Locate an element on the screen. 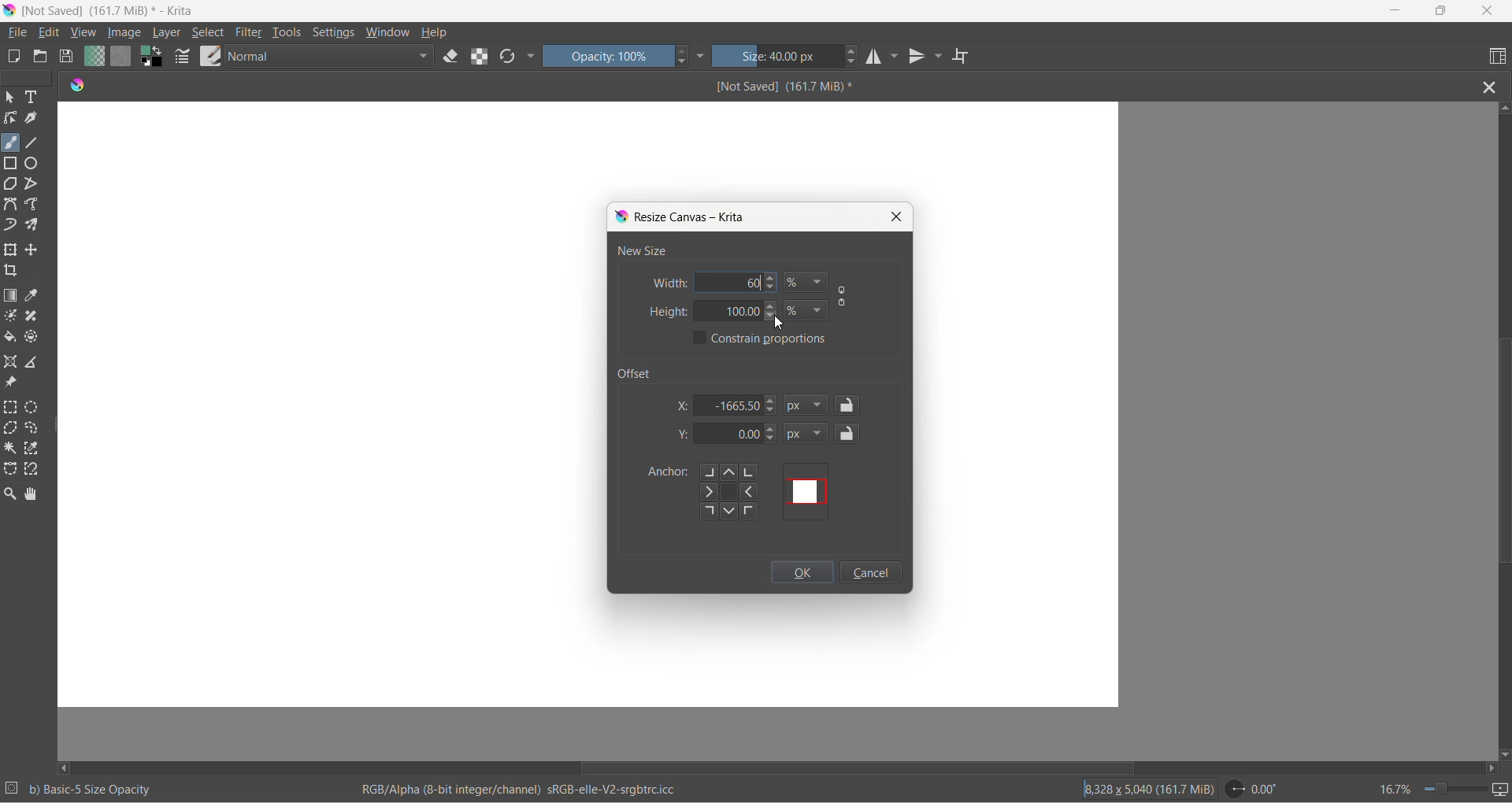 This screenshot has height=803, width=1512. edit shape tool is located at coordinates (10, 118).